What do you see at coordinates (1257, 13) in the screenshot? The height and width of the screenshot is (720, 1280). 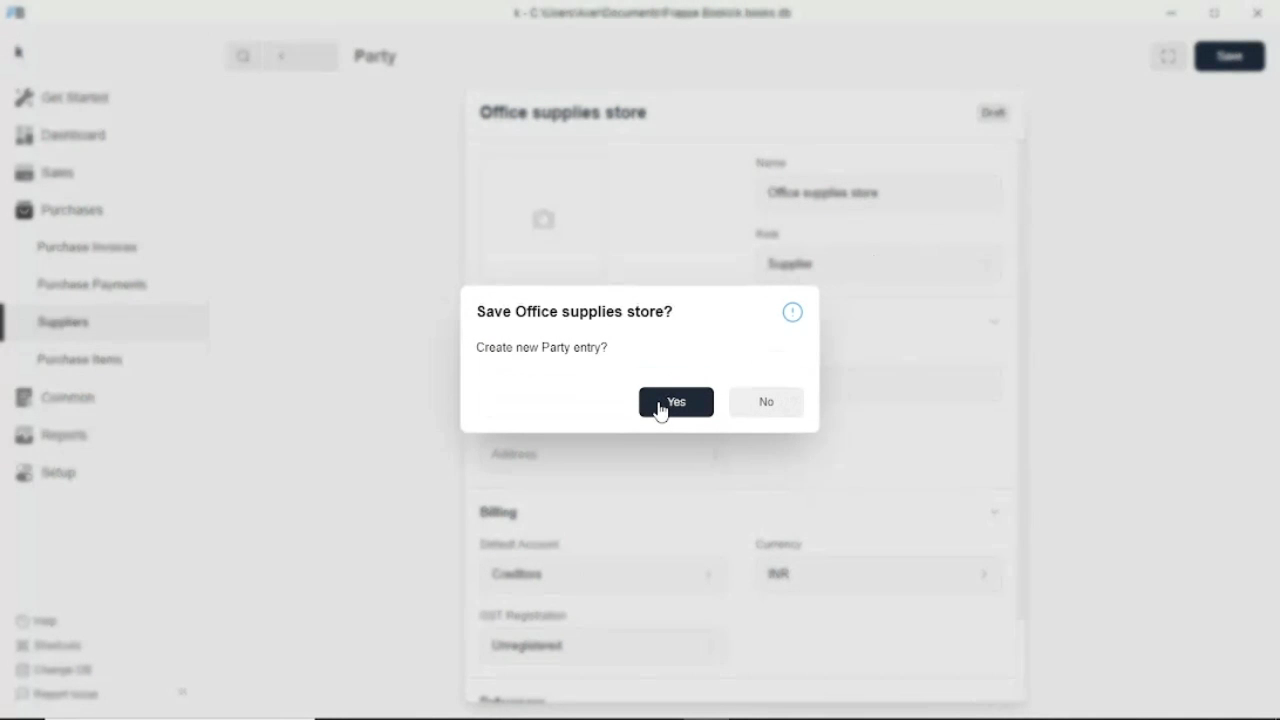 I see `Close` at bounding box center [1257, 13].